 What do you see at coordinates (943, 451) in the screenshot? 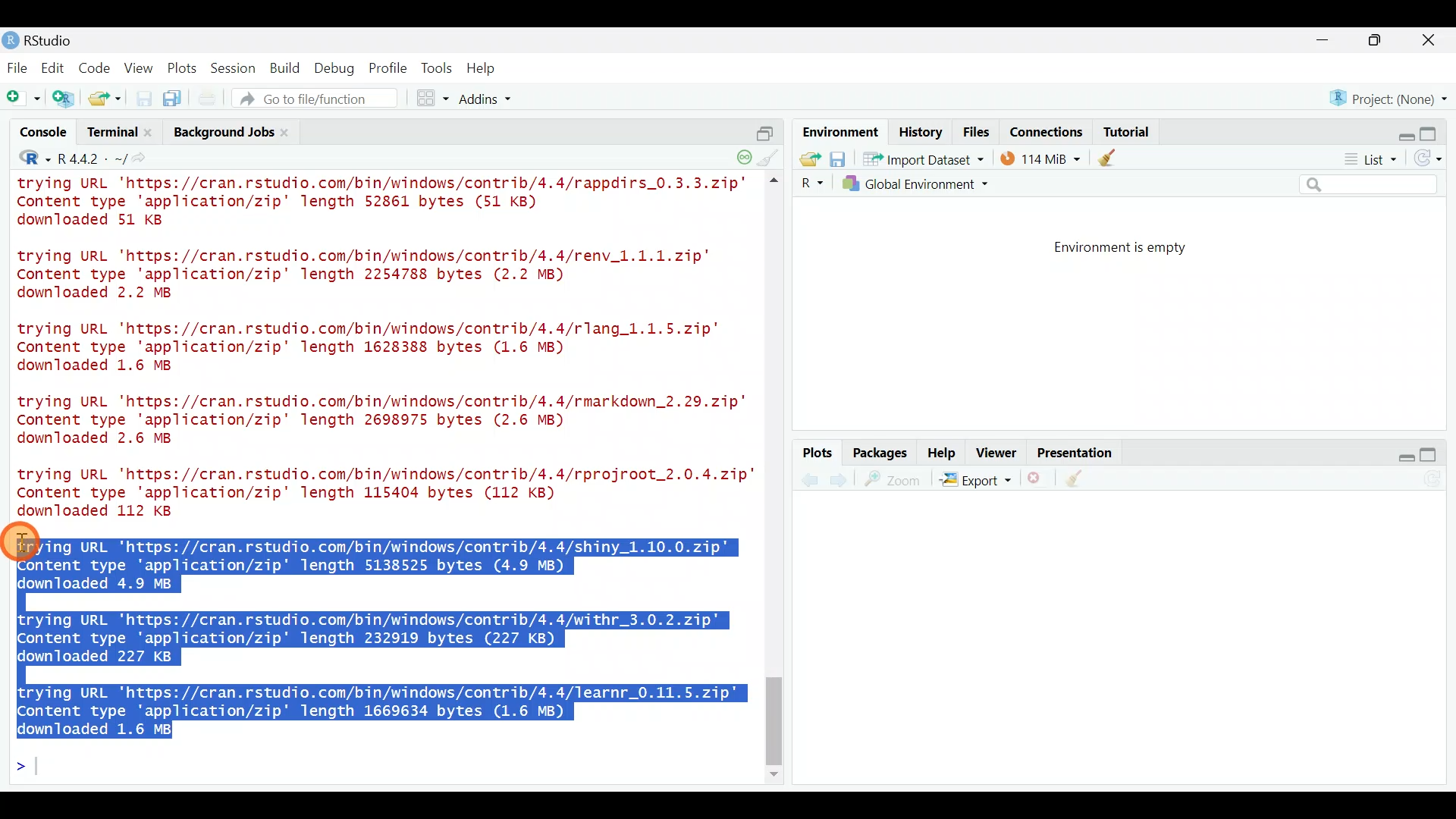
I see `Help` at bounding box center [943, 451].